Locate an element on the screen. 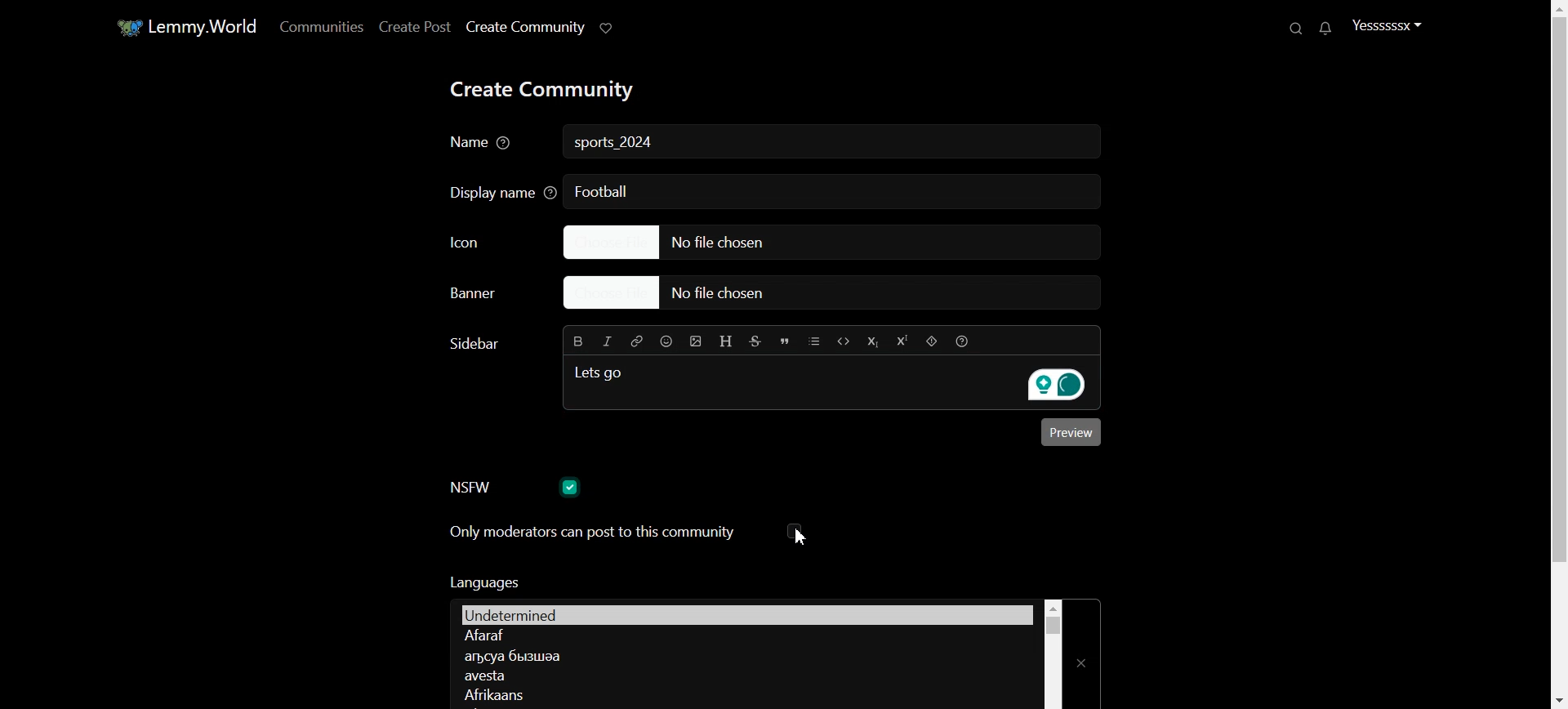  Only moderators can post to this community is located at coordinates (626, 533).